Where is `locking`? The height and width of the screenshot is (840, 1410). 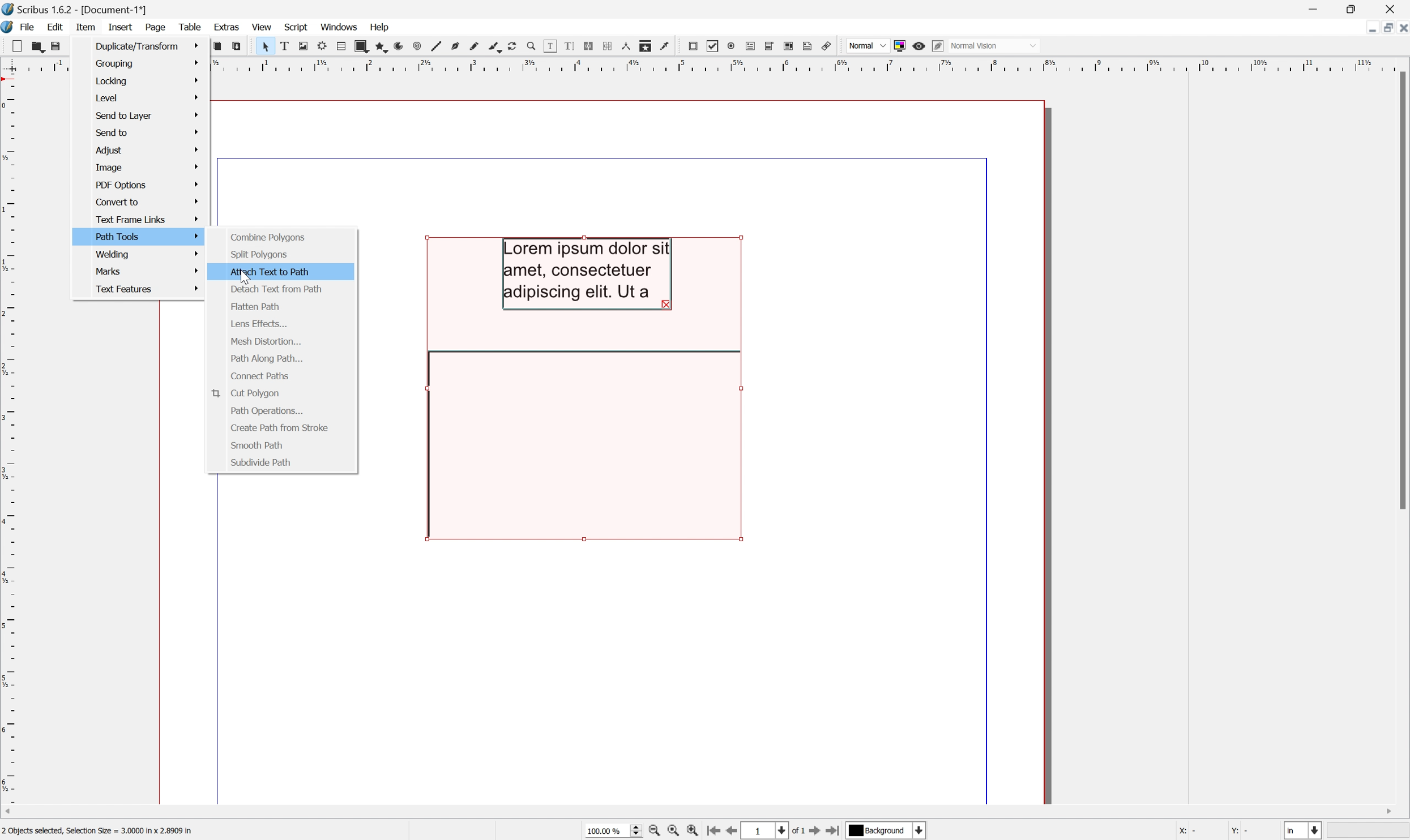 locking is located at coordinates (148, 79).